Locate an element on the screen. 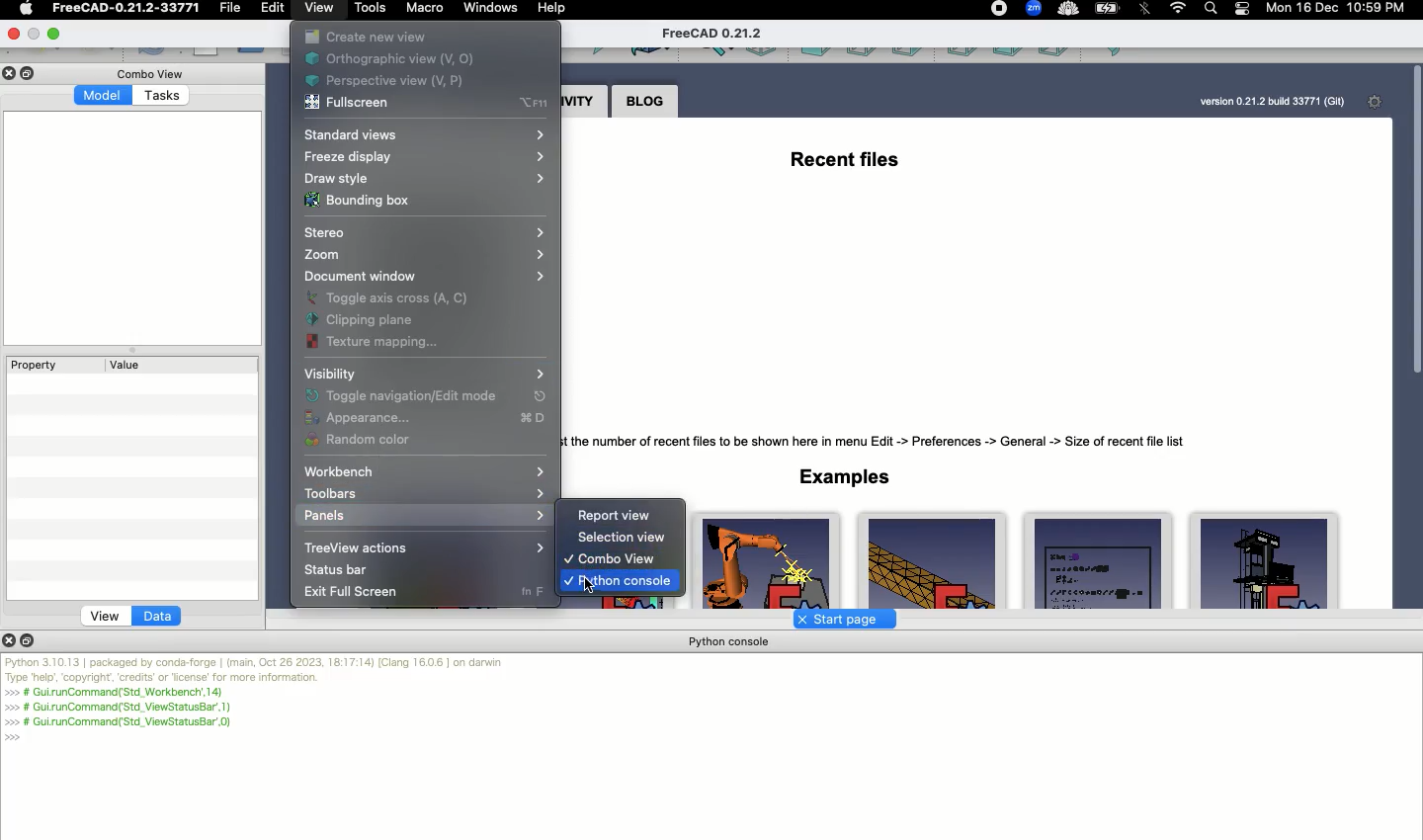  TreeView actions is located at coordinates (422, 546).